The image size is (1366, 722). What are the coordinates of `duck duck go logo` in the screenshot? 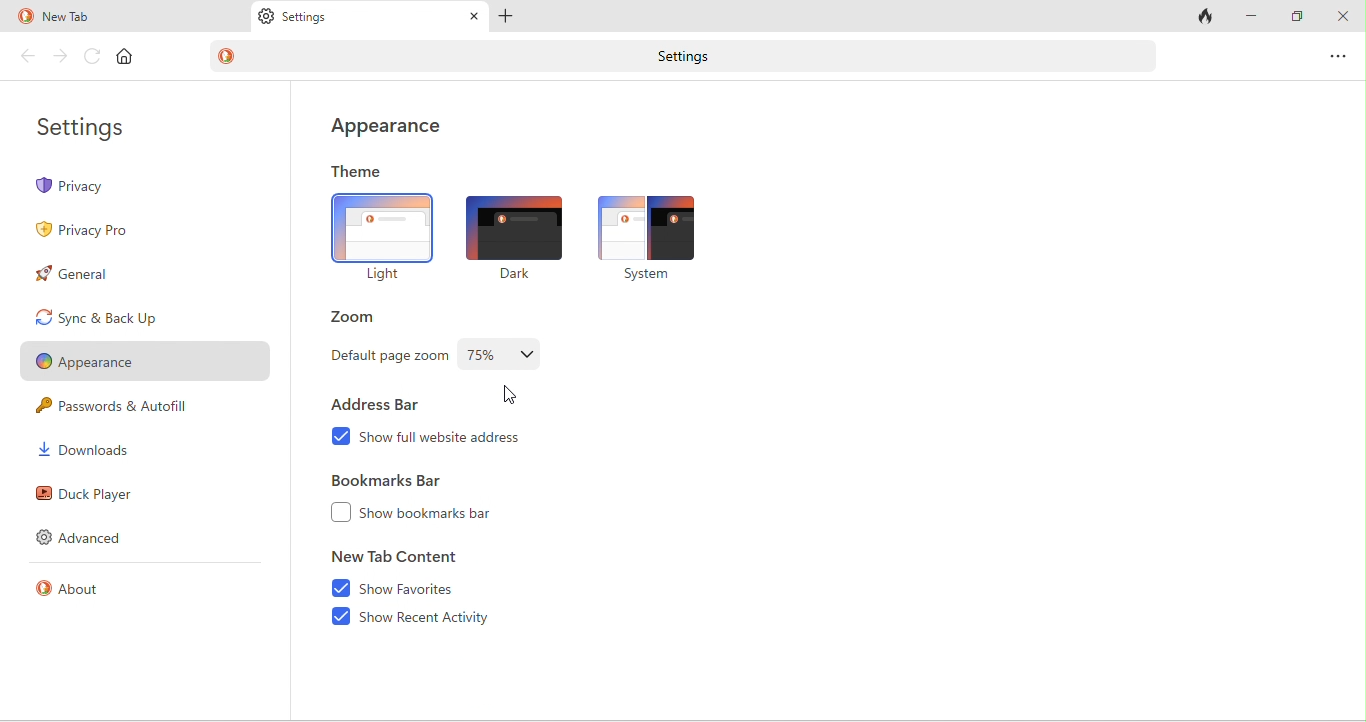 It's located at (228, 56).